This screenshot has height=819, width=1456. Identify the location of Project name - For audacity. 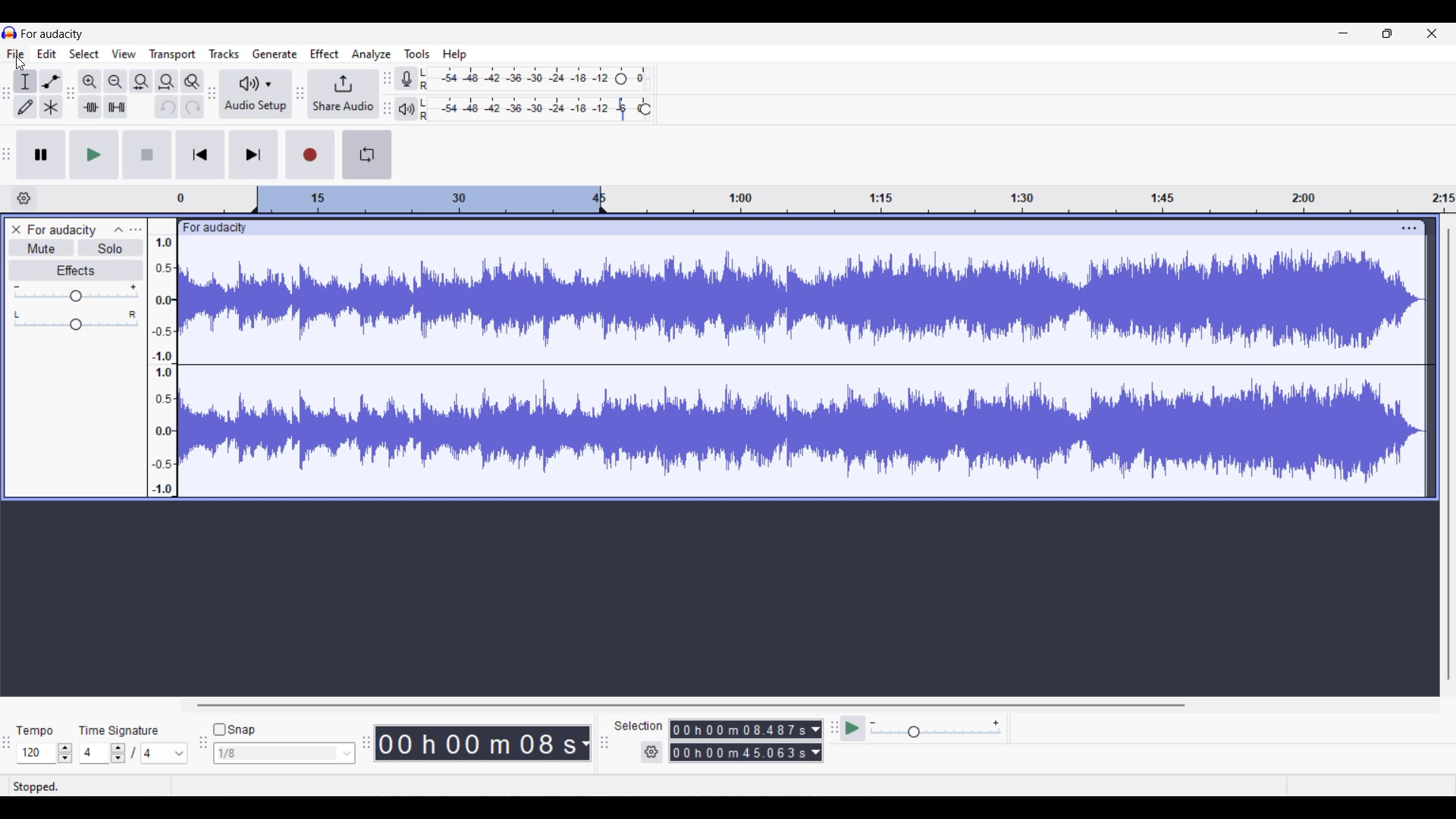
(63, 230).